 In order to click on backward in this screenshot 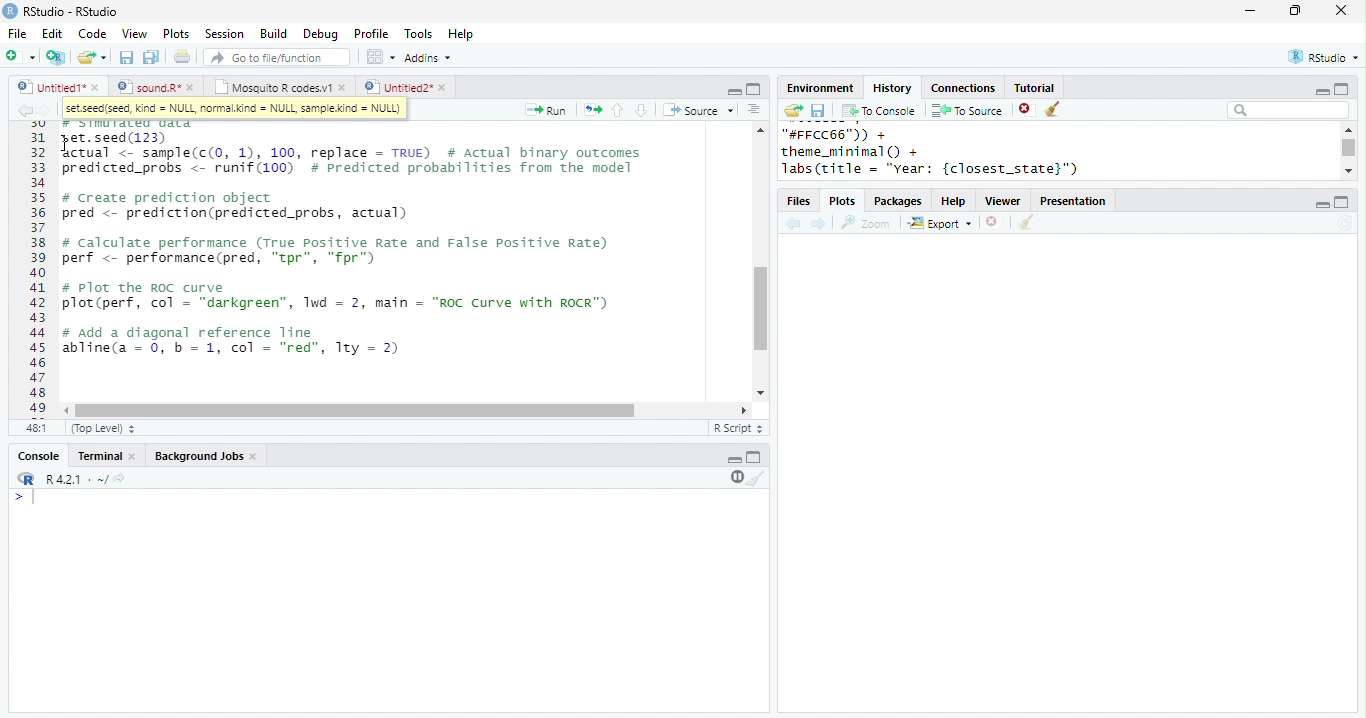, I will do `click(24, 110)`.